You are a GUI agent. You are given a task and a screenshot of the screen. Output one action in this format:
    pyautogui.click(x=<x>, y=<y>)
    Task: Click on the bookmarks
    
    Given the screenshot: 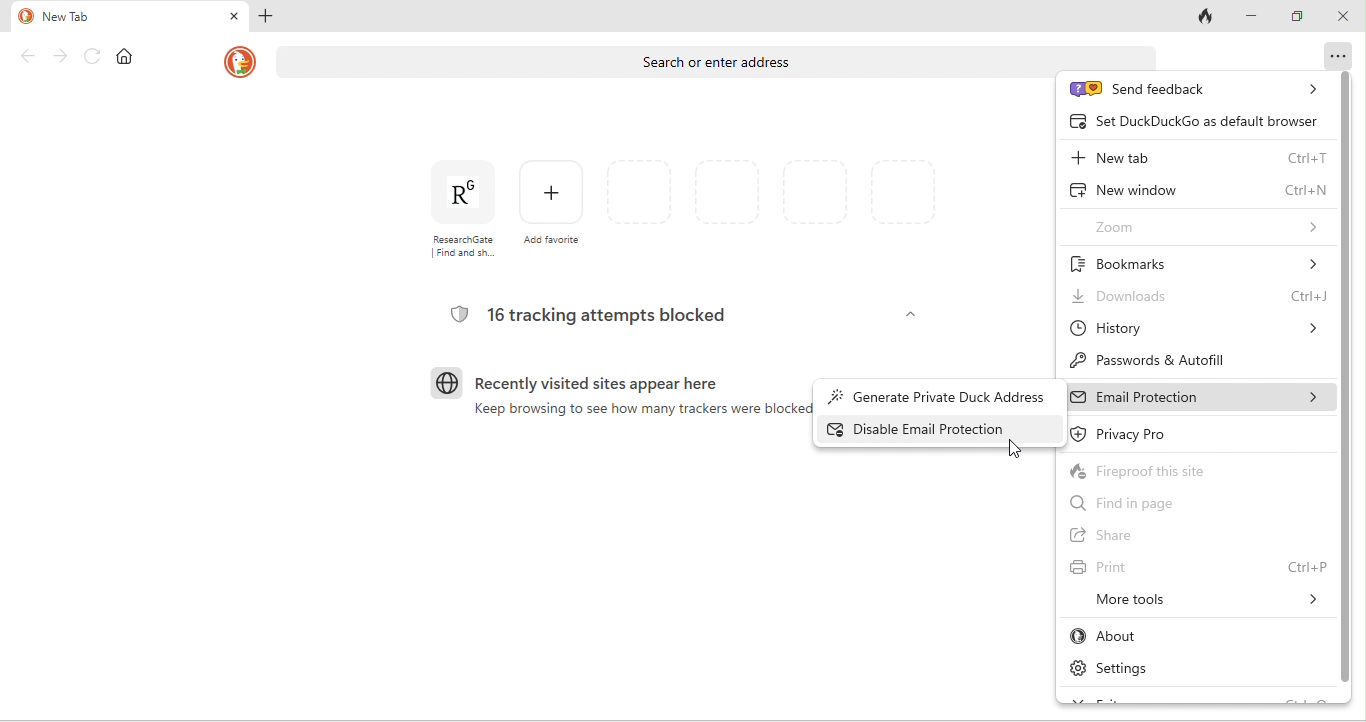 What is the action you would take?
    pyautogui.click(x=1198, y=263)
    